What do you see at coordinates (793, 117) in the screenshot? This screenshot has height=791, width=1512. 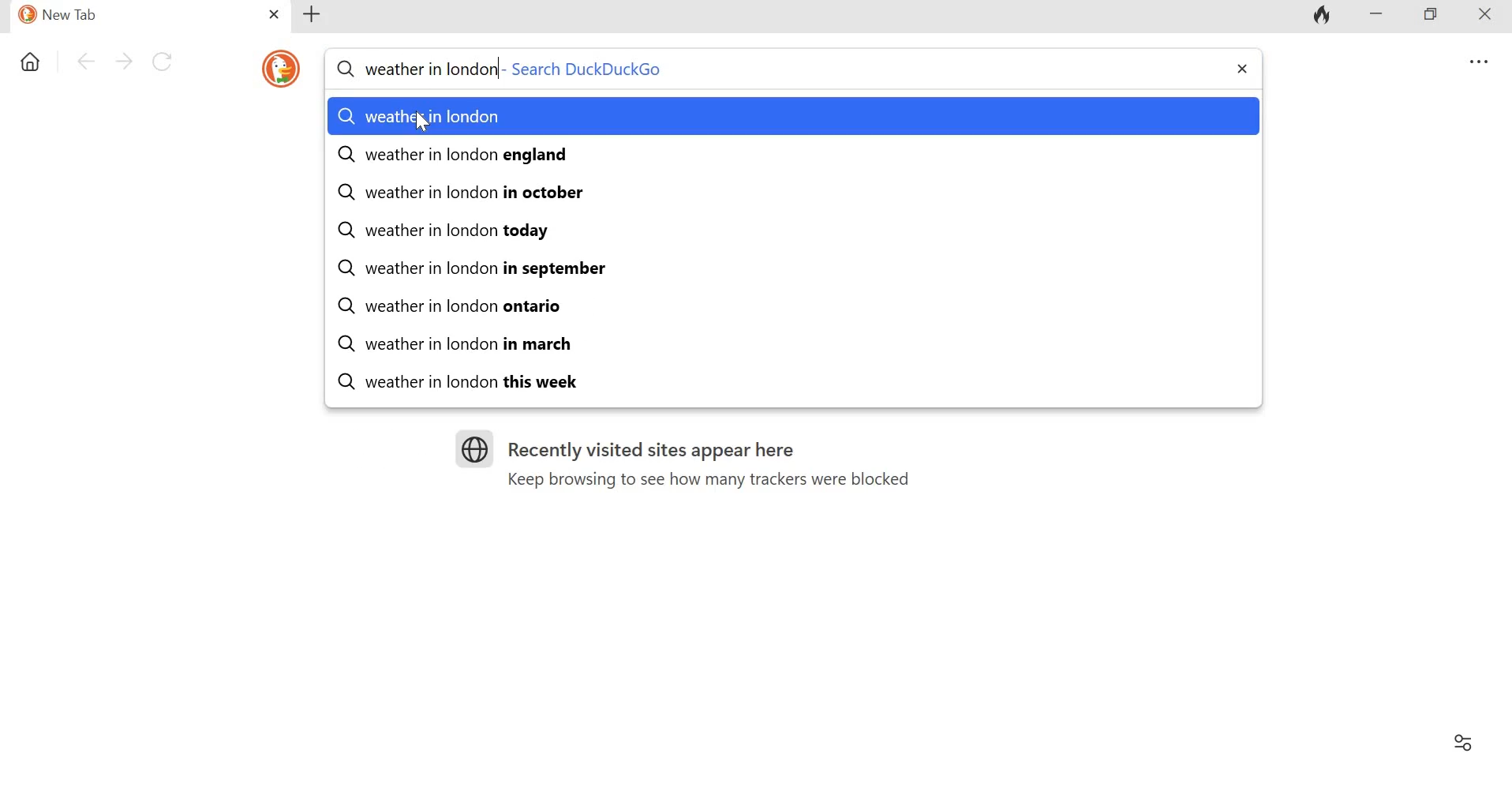 I see `weather in london` at bounding box center [793, 117].